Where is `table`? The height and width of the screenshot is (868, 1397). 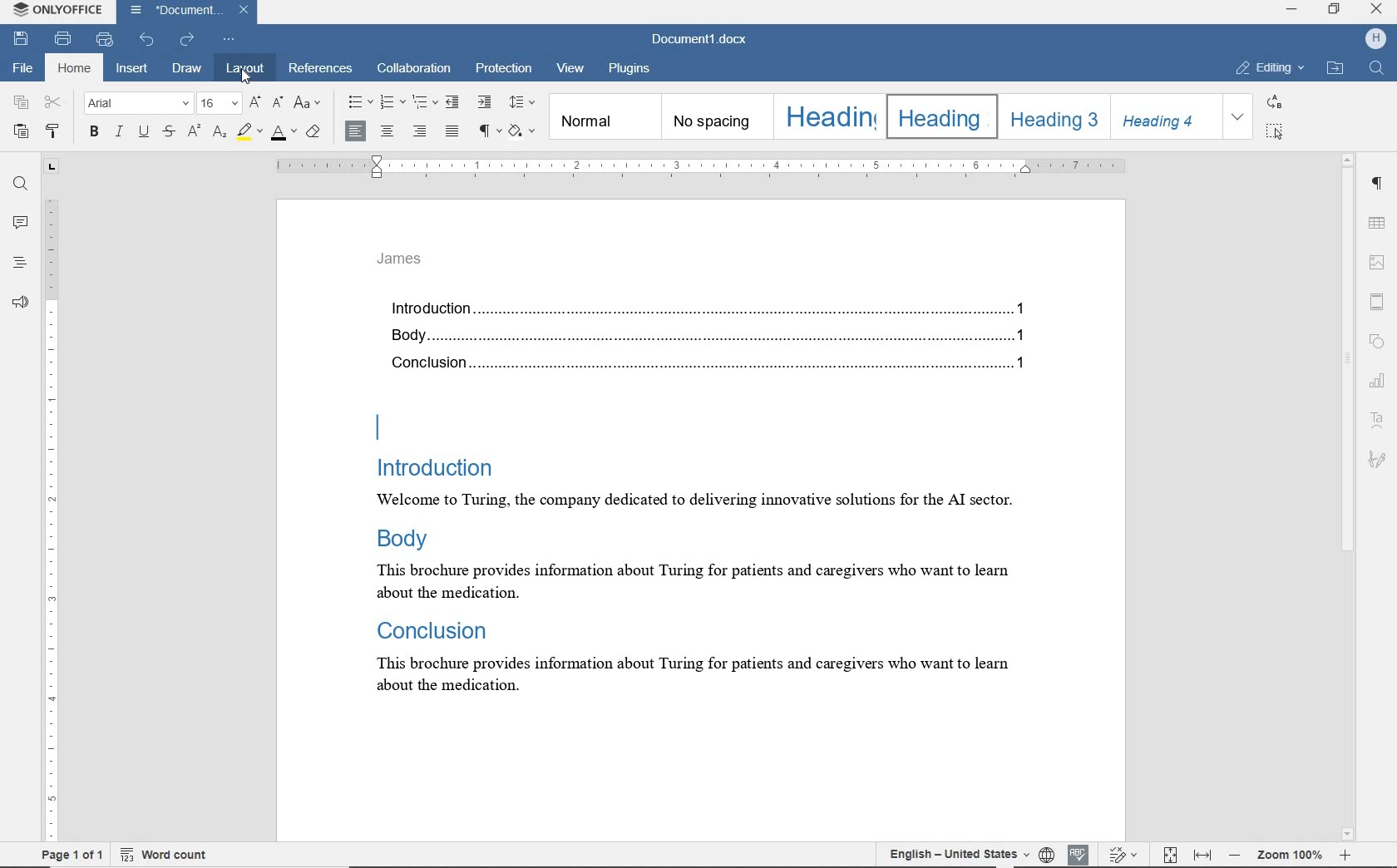
table is located at coordinates (1380, 224).